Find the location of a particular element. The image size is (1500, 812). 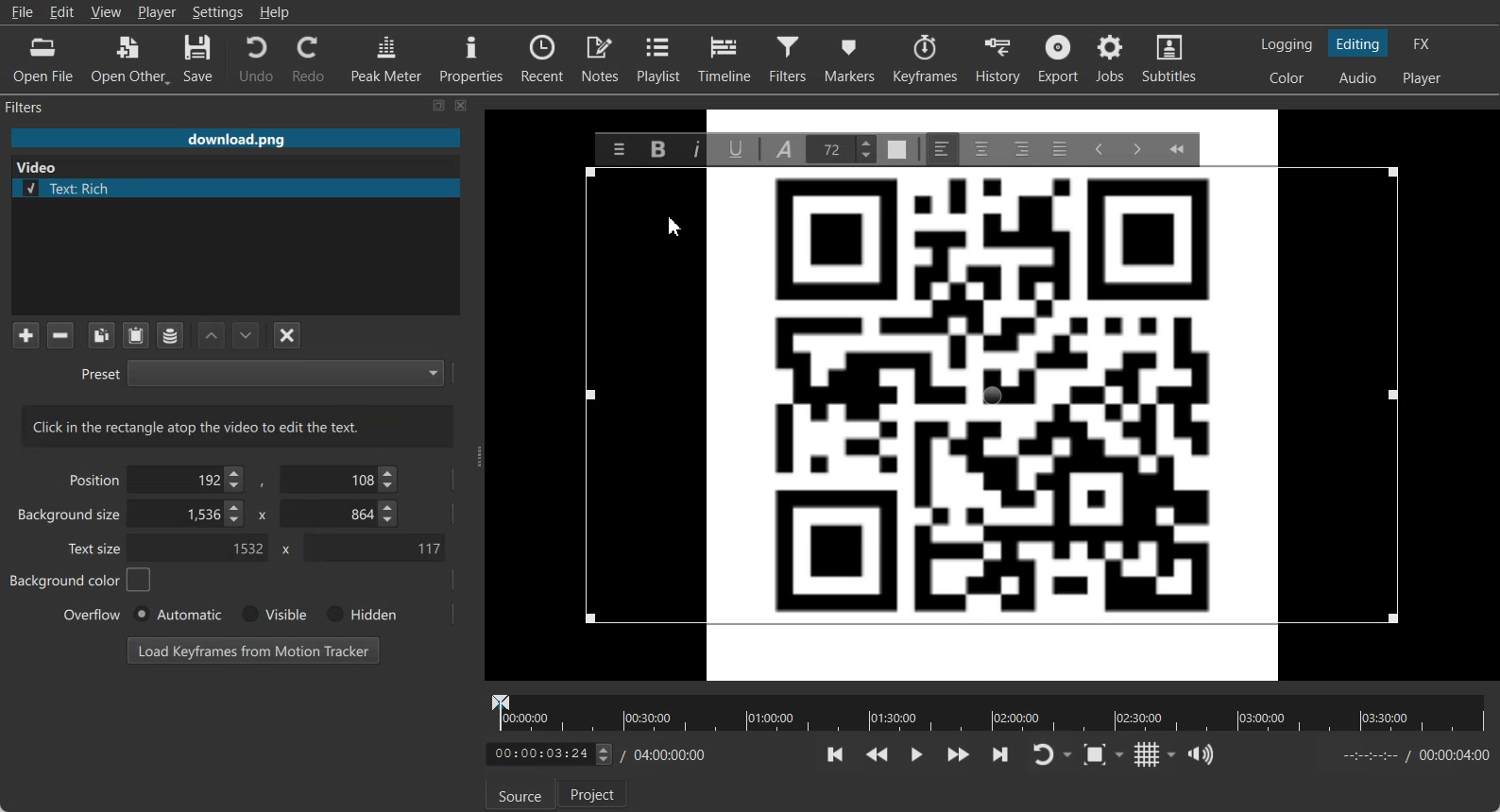

Close is located at coordinates (462, 105).